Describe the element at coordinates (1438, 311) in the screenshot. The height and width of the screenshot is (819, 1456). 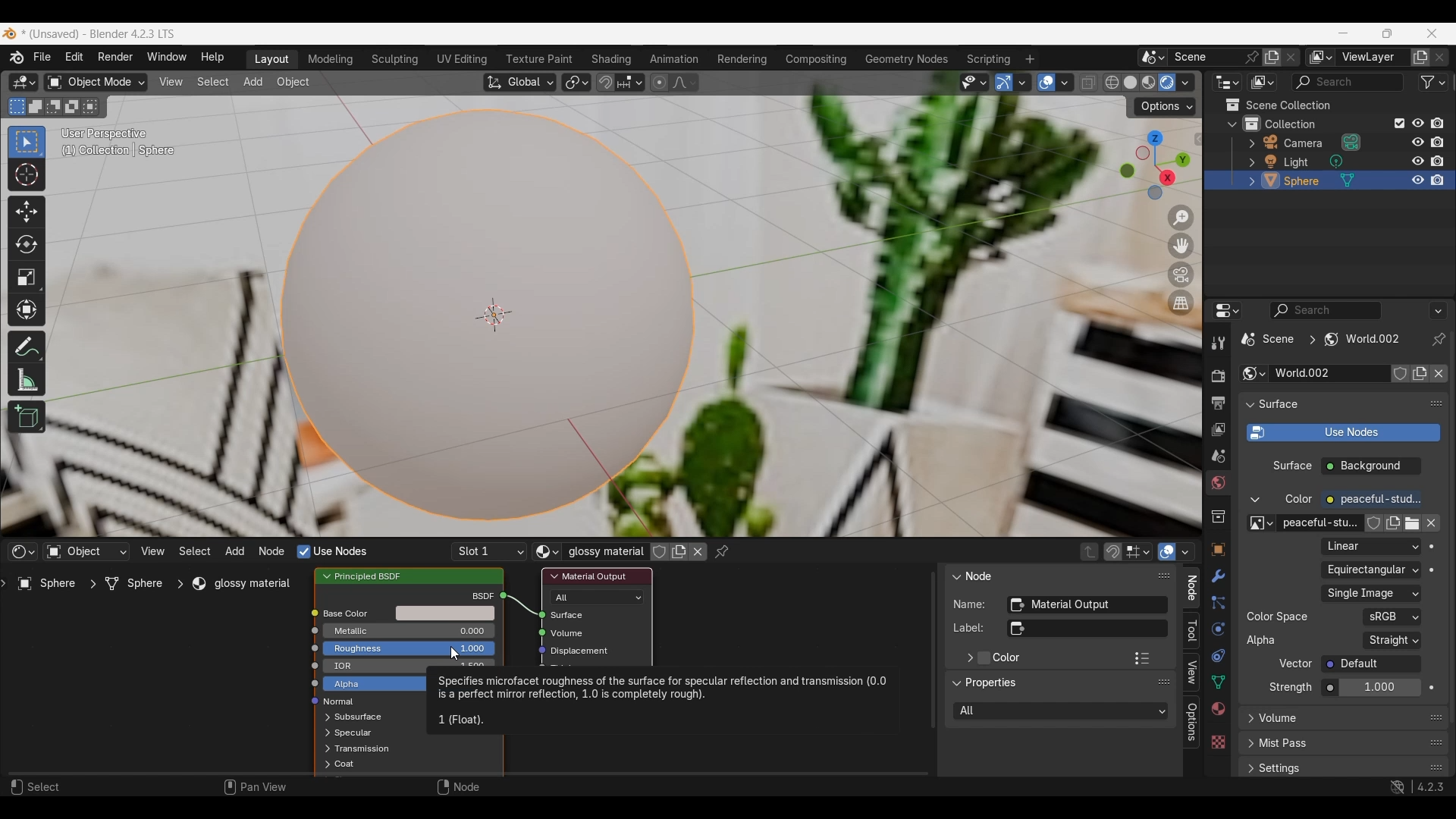
I see `More options` at that location.